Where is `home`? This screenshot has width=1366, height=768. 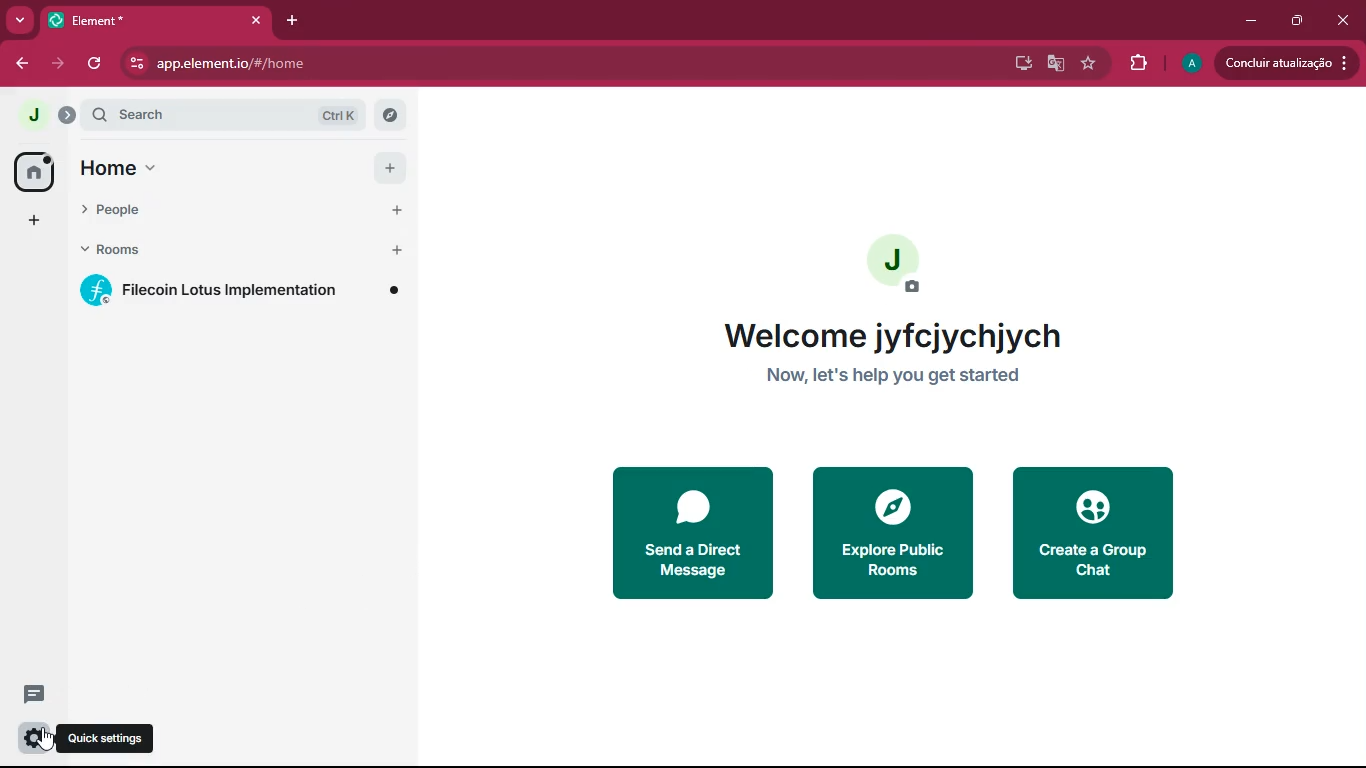 home is located at coordinates (27, 174).